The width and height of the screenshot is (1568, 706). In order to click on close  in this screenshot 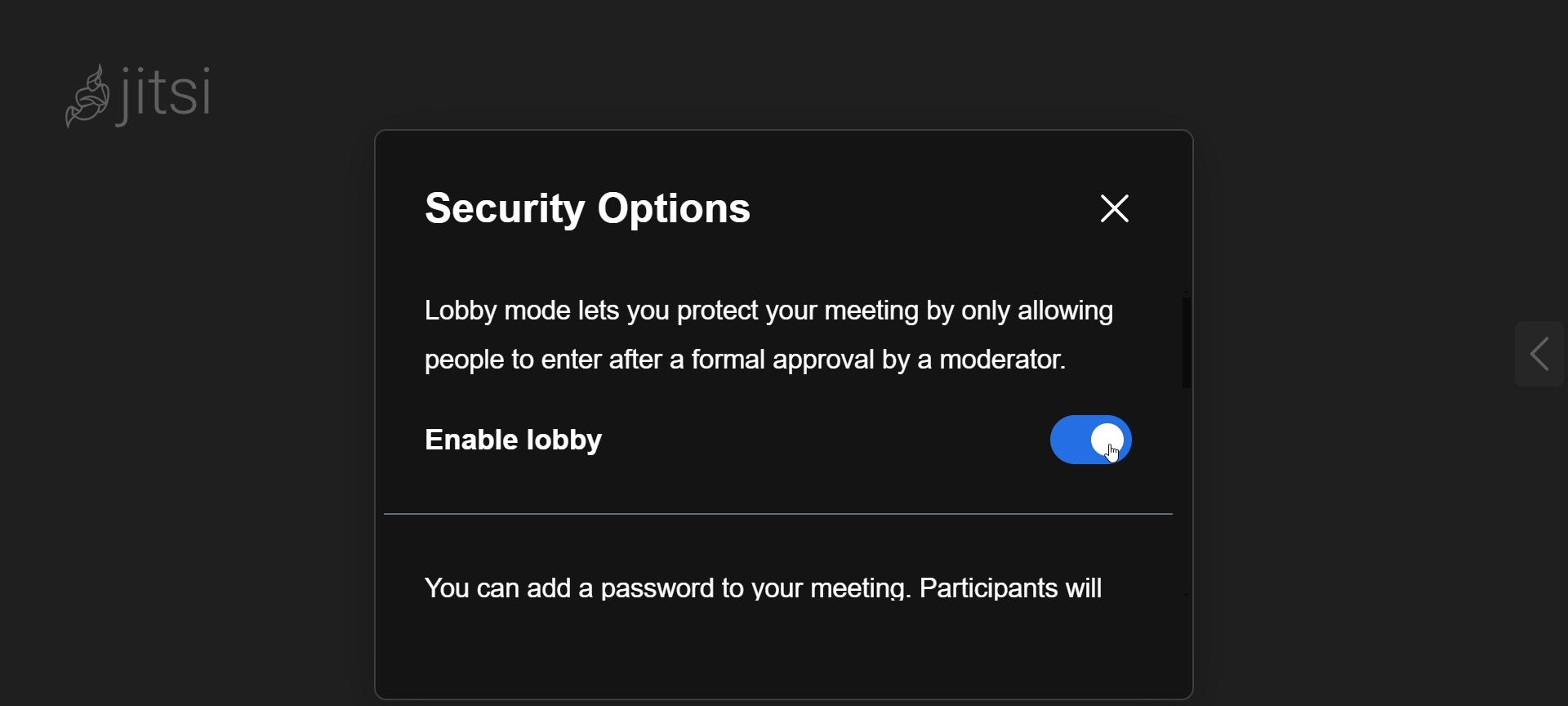, I will do `click(1112, 209)`.